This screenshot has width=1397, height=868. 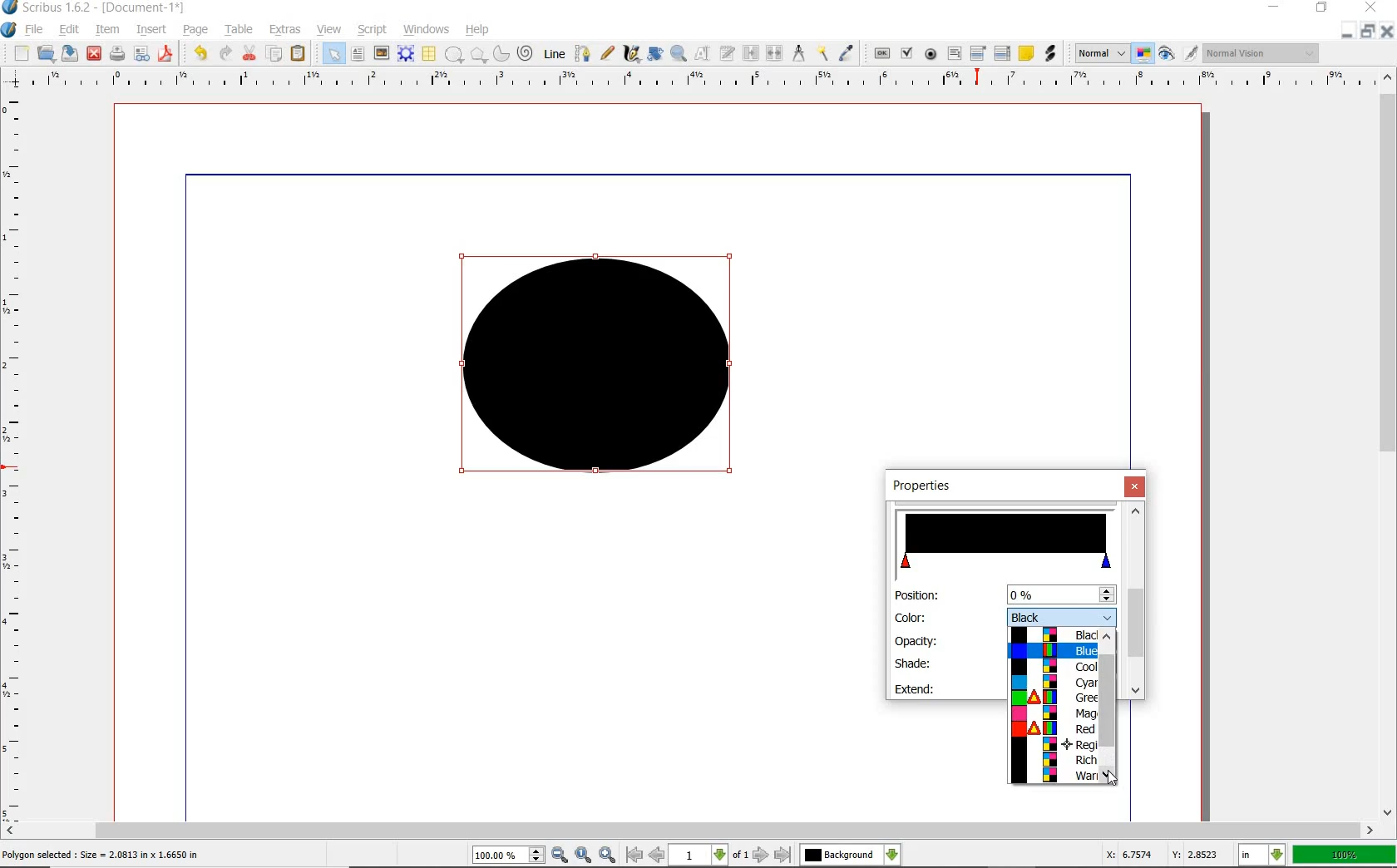 What do you see at coordinates (1276, 6) in the screenshot?
I see `MINIMIZE` at bounding box center [1276, 6].